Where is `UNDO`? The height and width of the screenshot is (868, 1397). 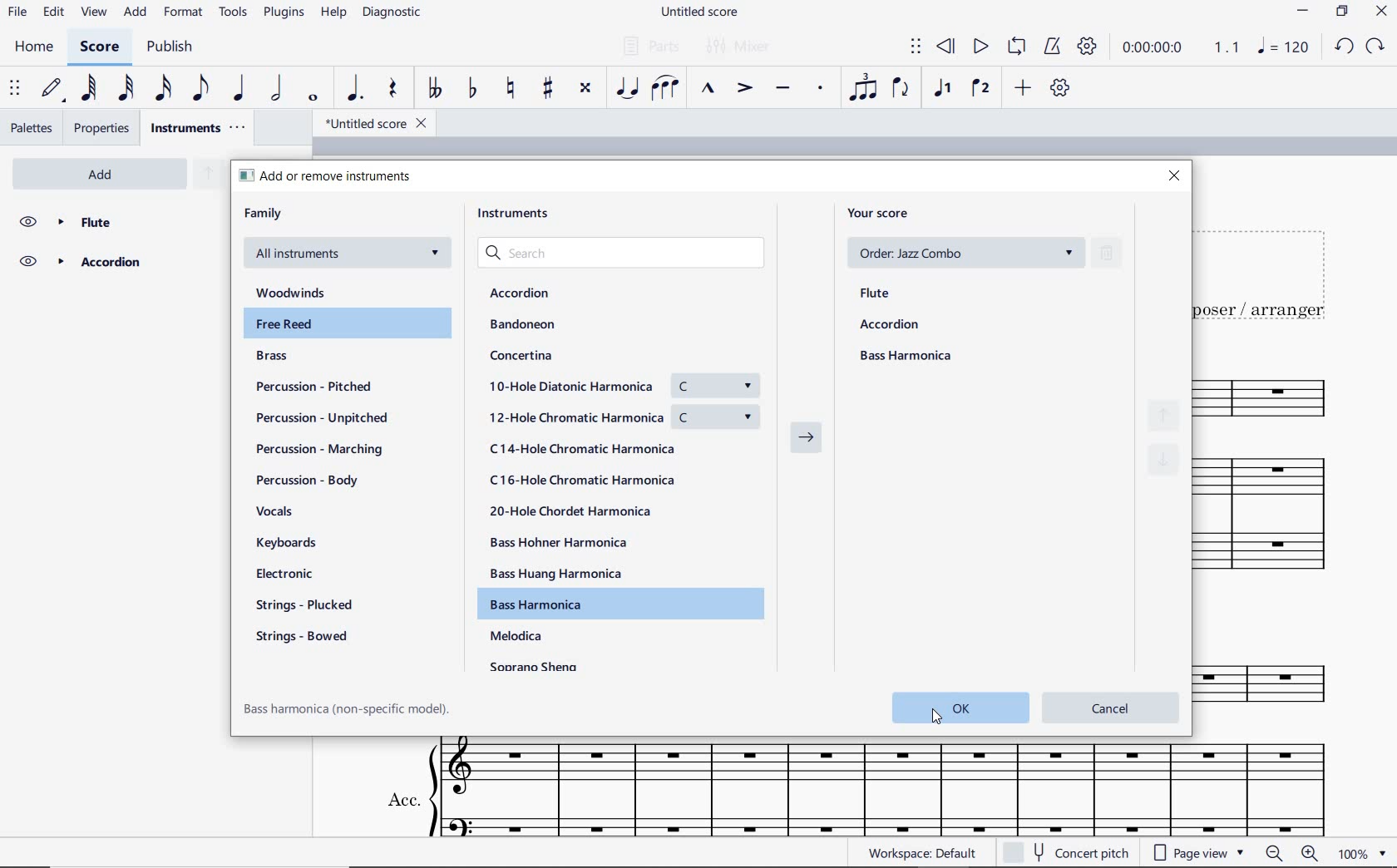
UNDO is located at coordinates (1344, 46).